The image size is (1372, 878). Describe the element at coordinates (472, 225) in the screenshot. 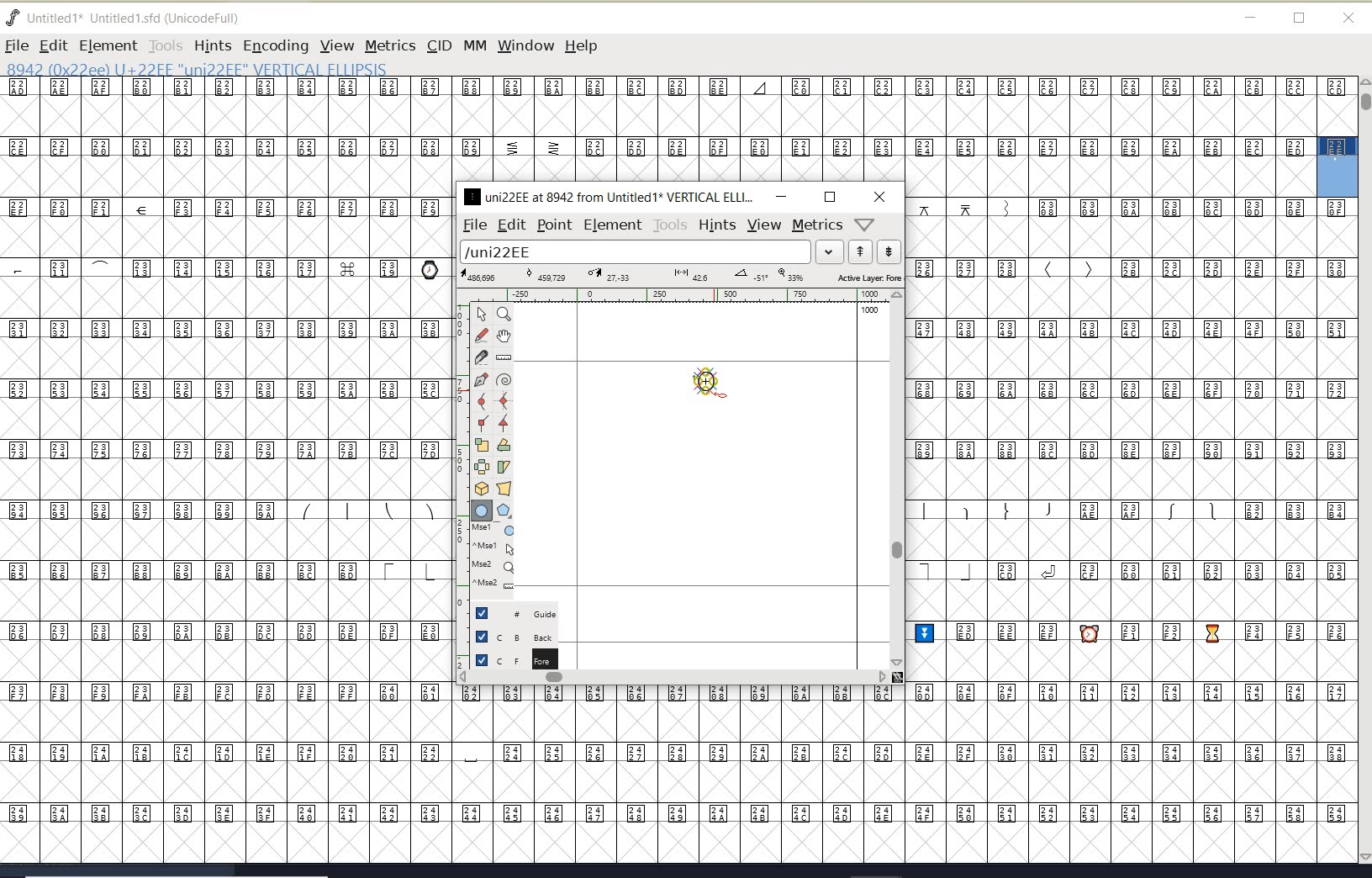

I see `file` at that location.